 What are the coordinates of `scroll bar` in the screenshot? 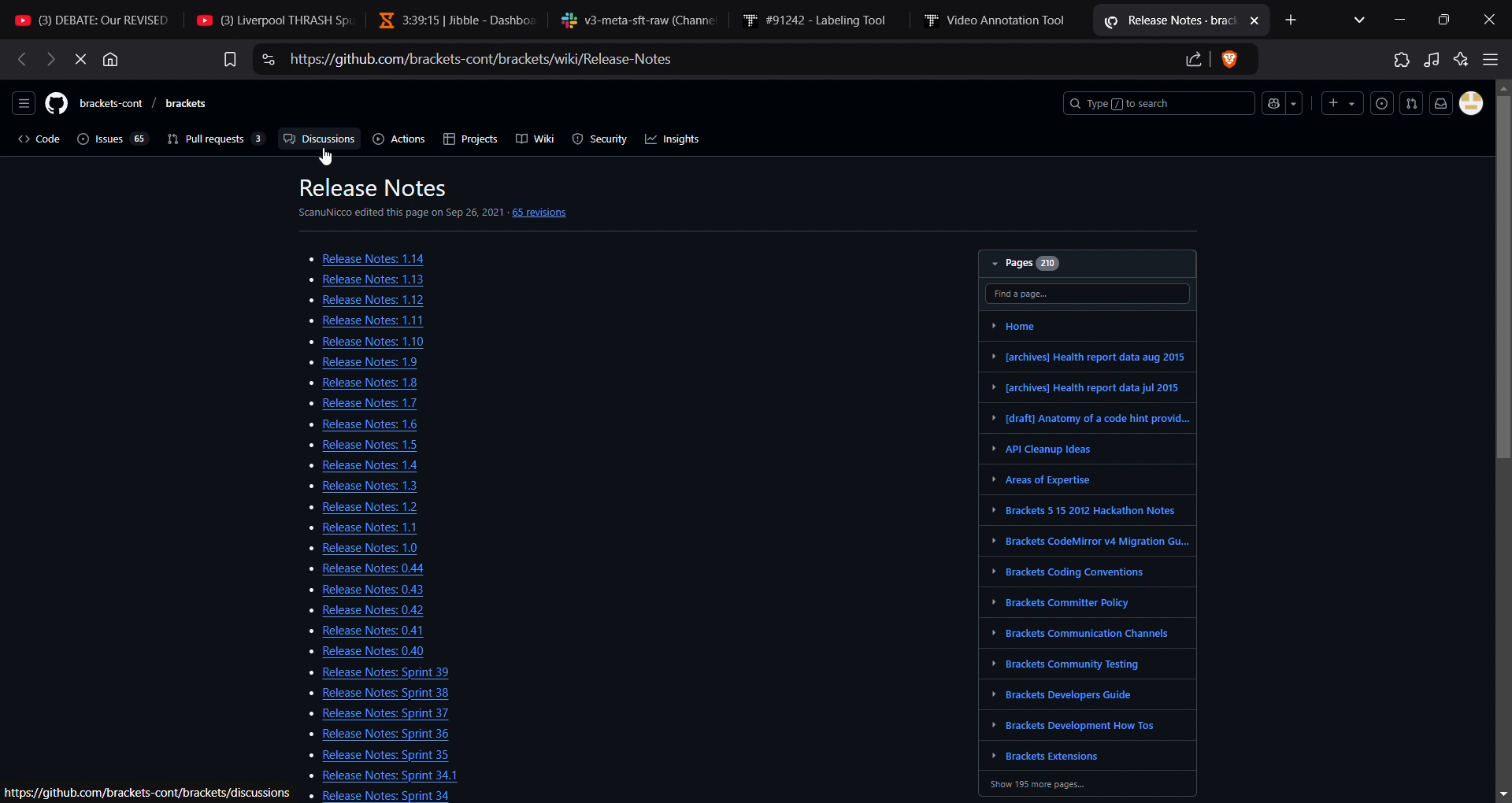 It's located at (1503, 437).